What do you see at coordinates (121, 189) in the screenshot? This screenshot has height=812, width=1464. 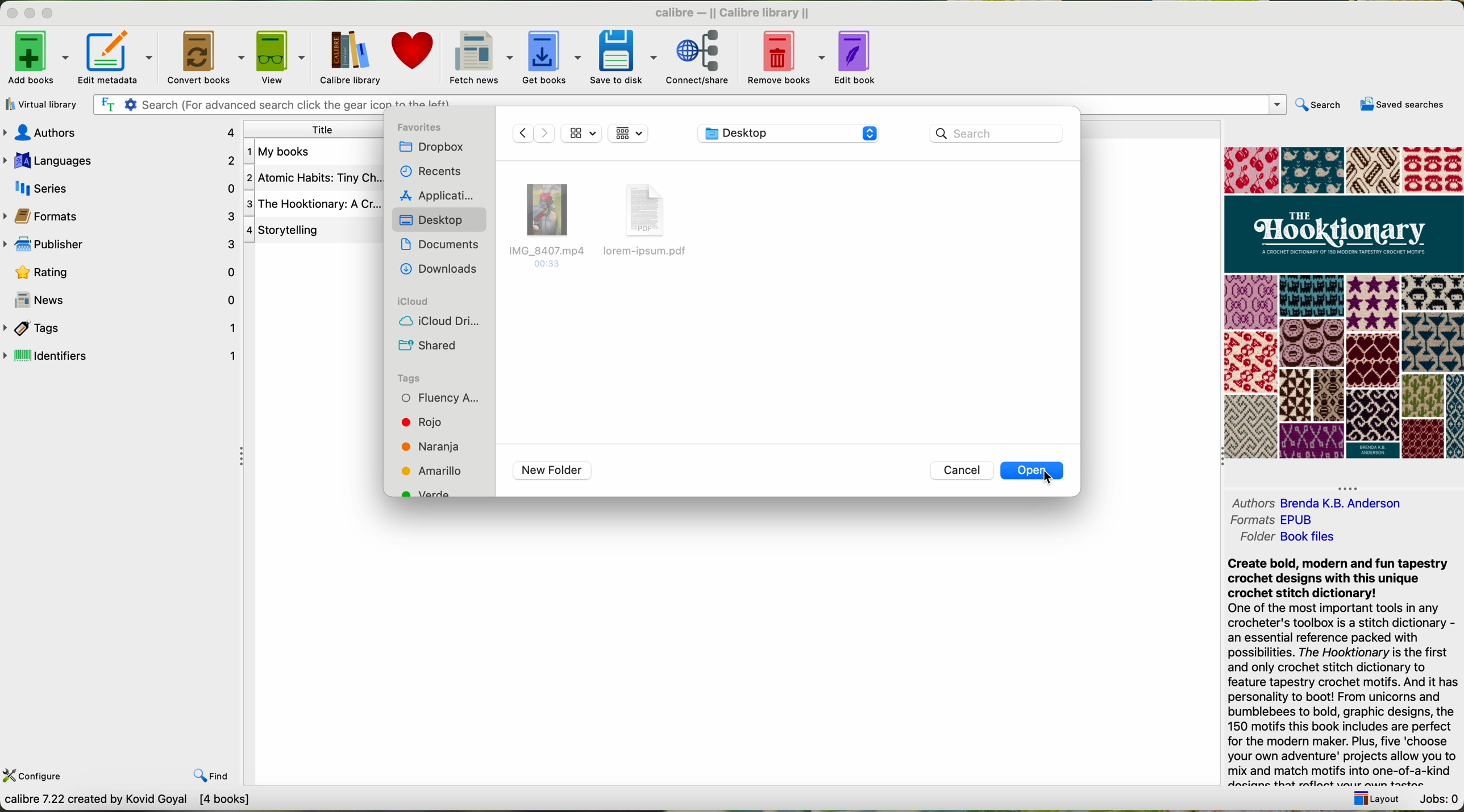 I see `series` at bounding box center [121, 189].